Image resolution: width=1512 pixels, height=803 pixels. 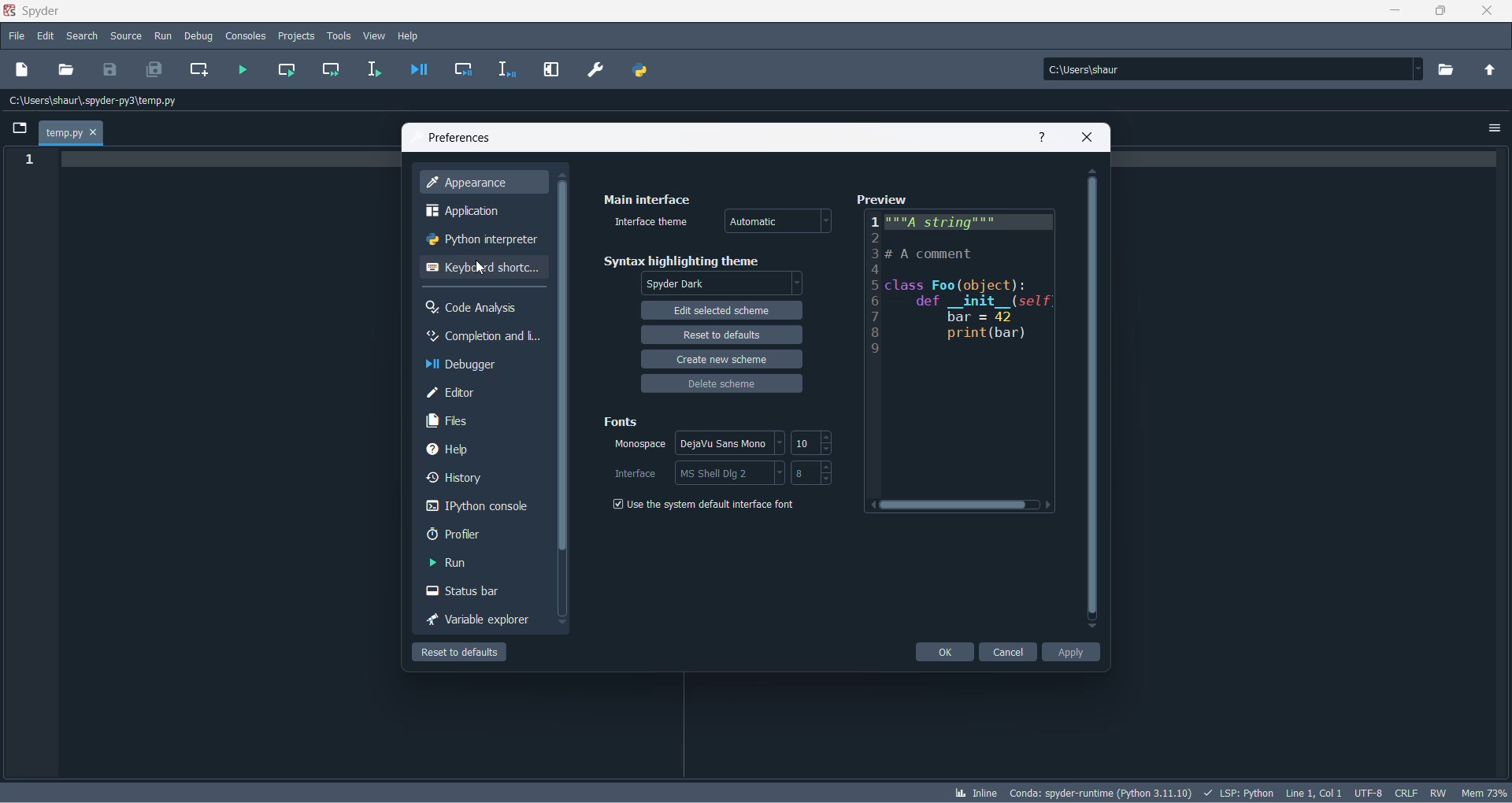 What do you see at coordinates (724, 285) in the screenshot?
I see `highlighting theme options` at bounding box center [724, 285].